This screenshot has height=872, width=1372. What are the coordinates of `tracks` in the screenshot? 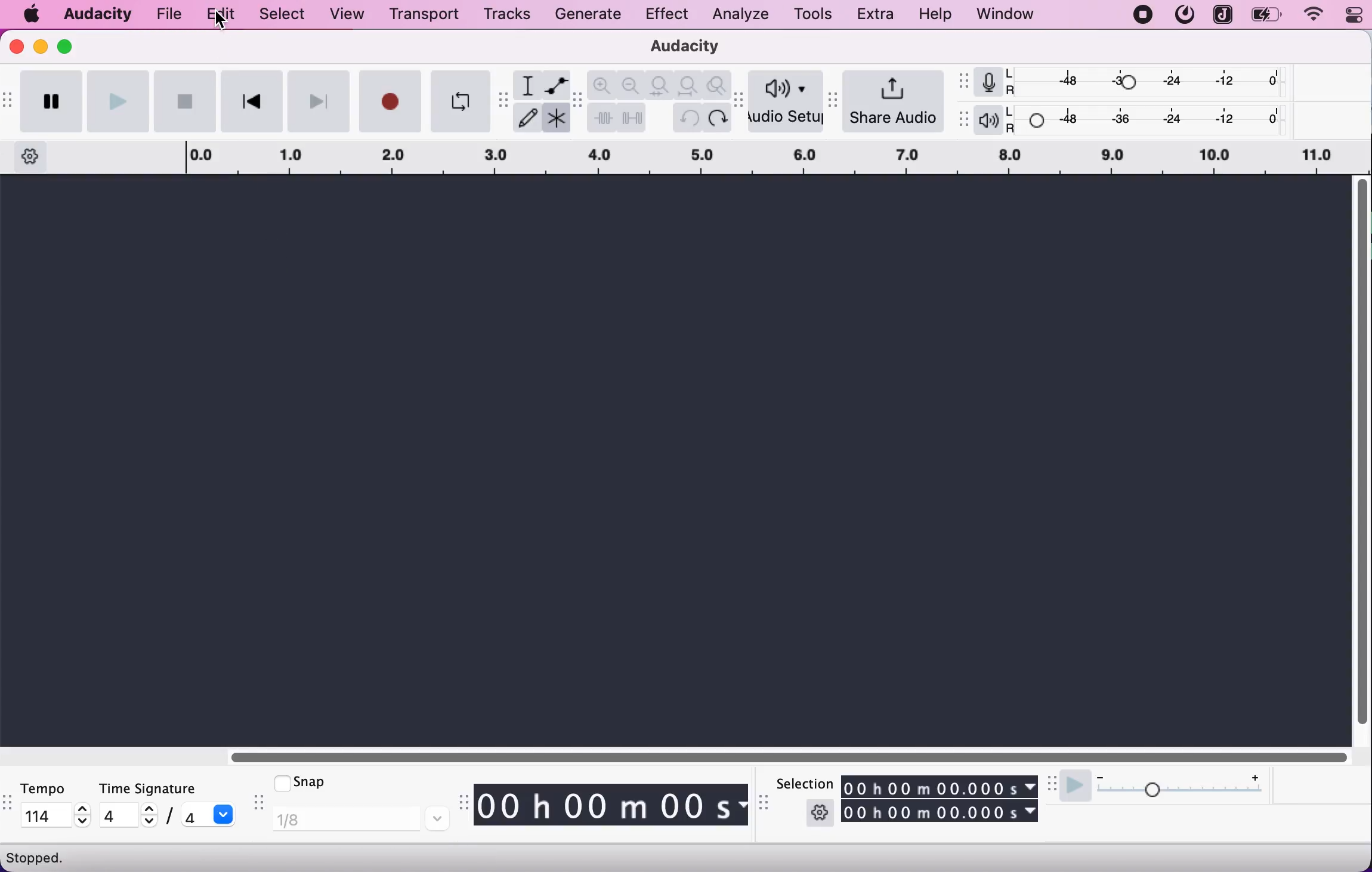 It's located at (507, 14).